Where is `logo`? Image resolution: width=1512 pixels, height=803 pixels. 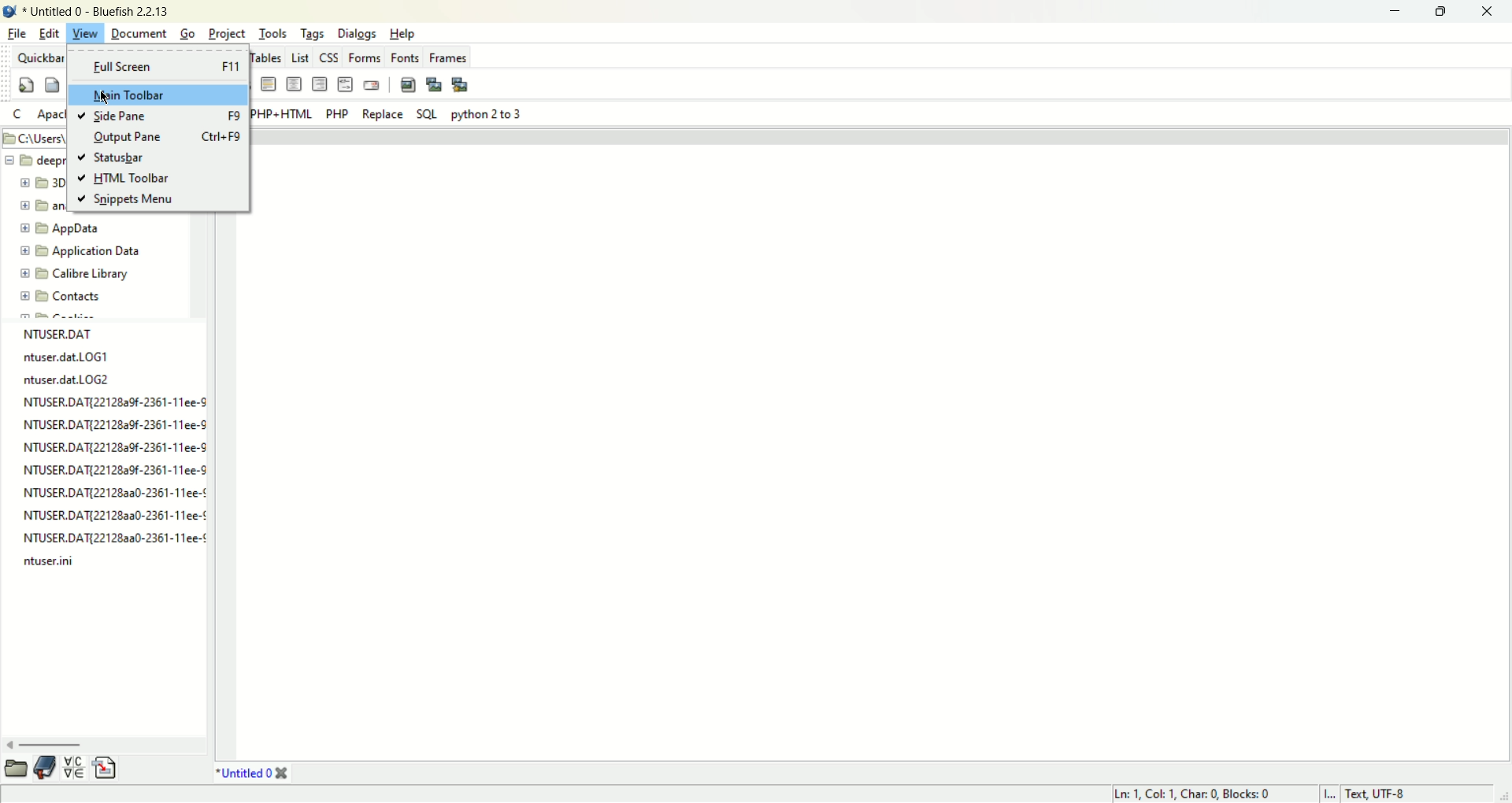
logo is located at coordinates (12, 10).